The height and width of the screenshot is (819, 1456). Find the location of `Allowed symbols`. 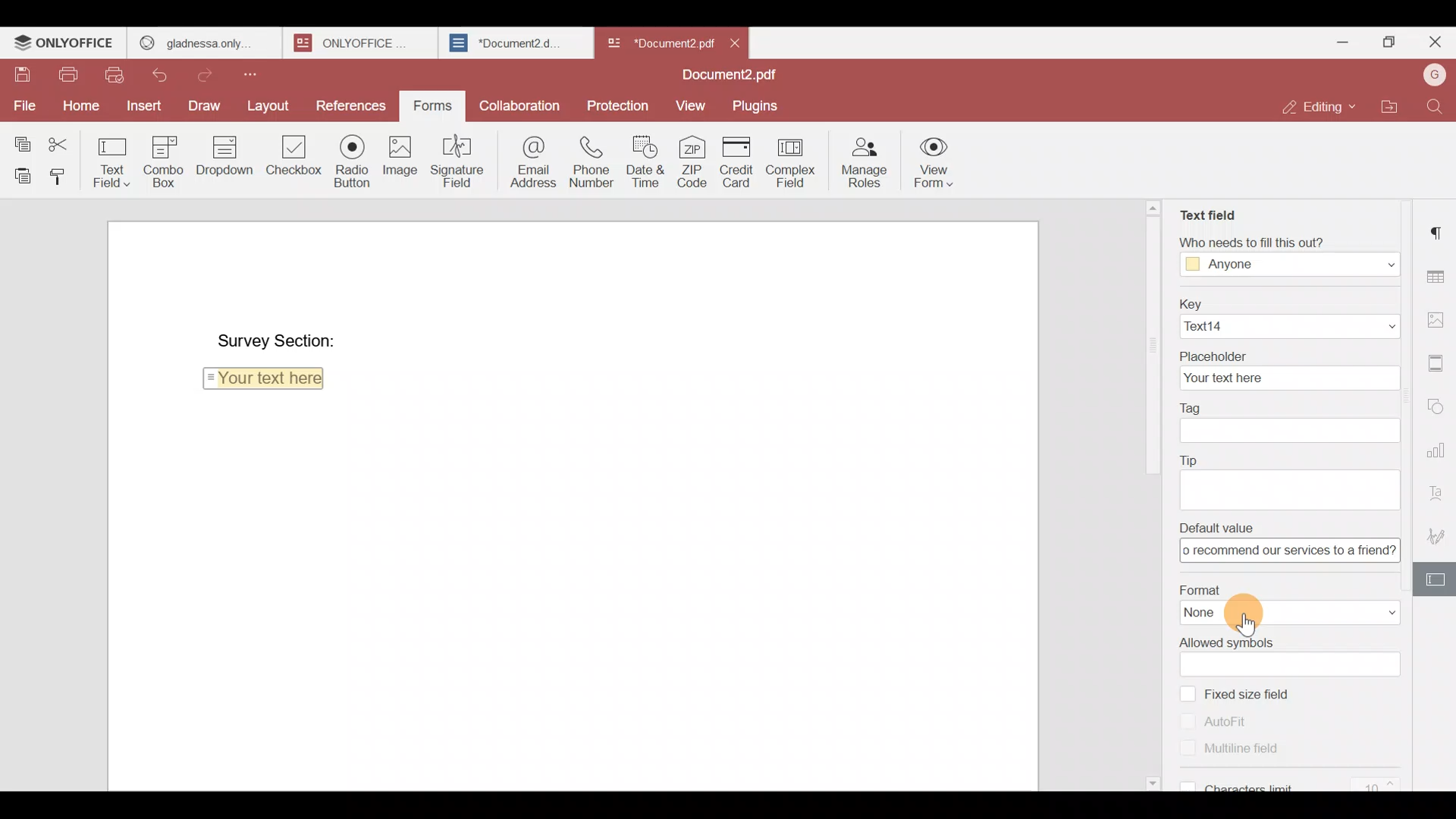

Allowed symbols is located at coordinates (1292, 641).